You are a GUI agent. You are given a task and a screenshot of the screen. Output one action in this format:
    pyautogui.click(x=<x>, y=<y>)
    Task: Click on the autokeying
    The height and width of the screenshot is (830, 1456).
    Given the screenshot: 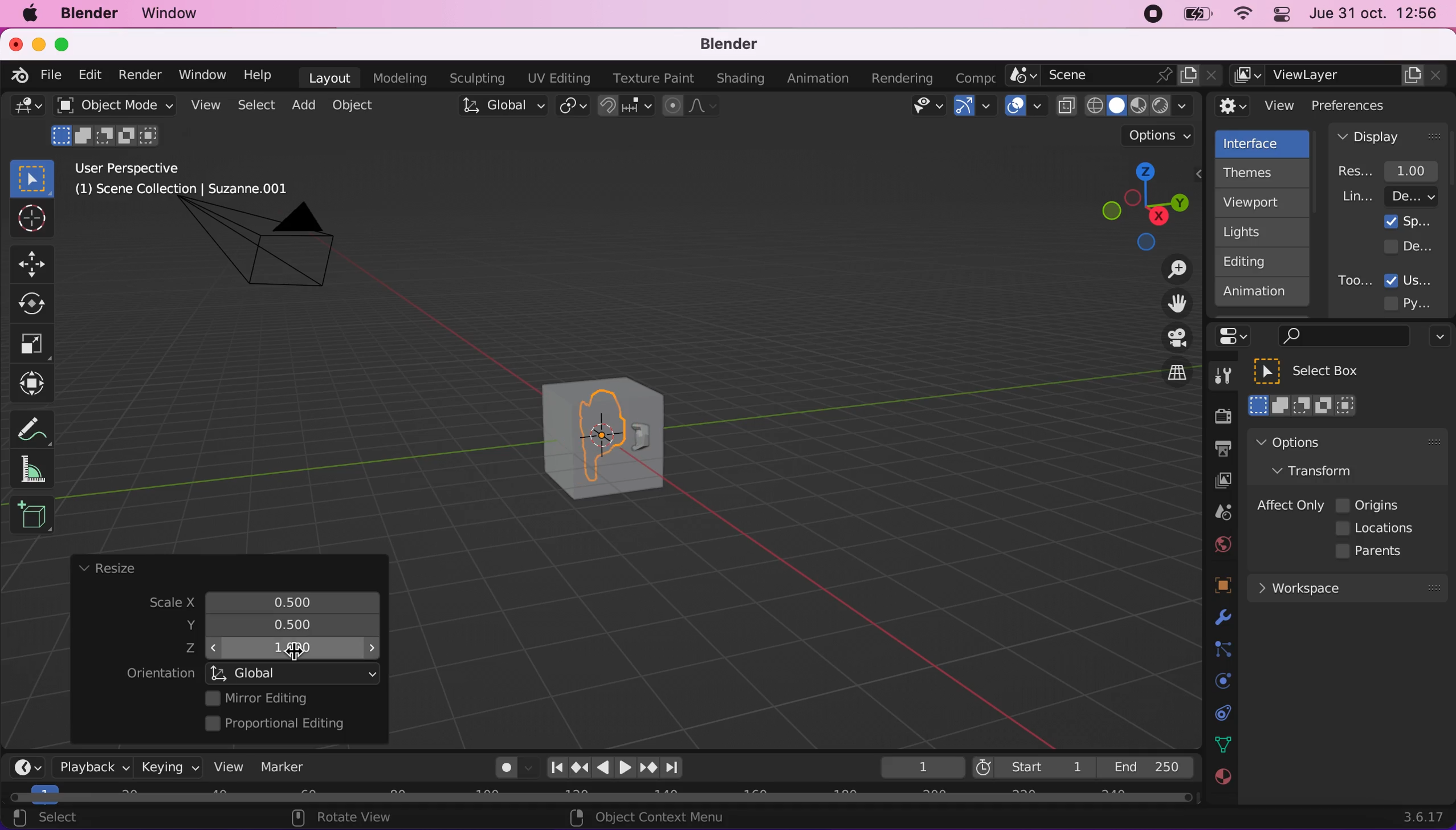 What is the action you would take?
    pyautogui.click(x=507, y=771)
    